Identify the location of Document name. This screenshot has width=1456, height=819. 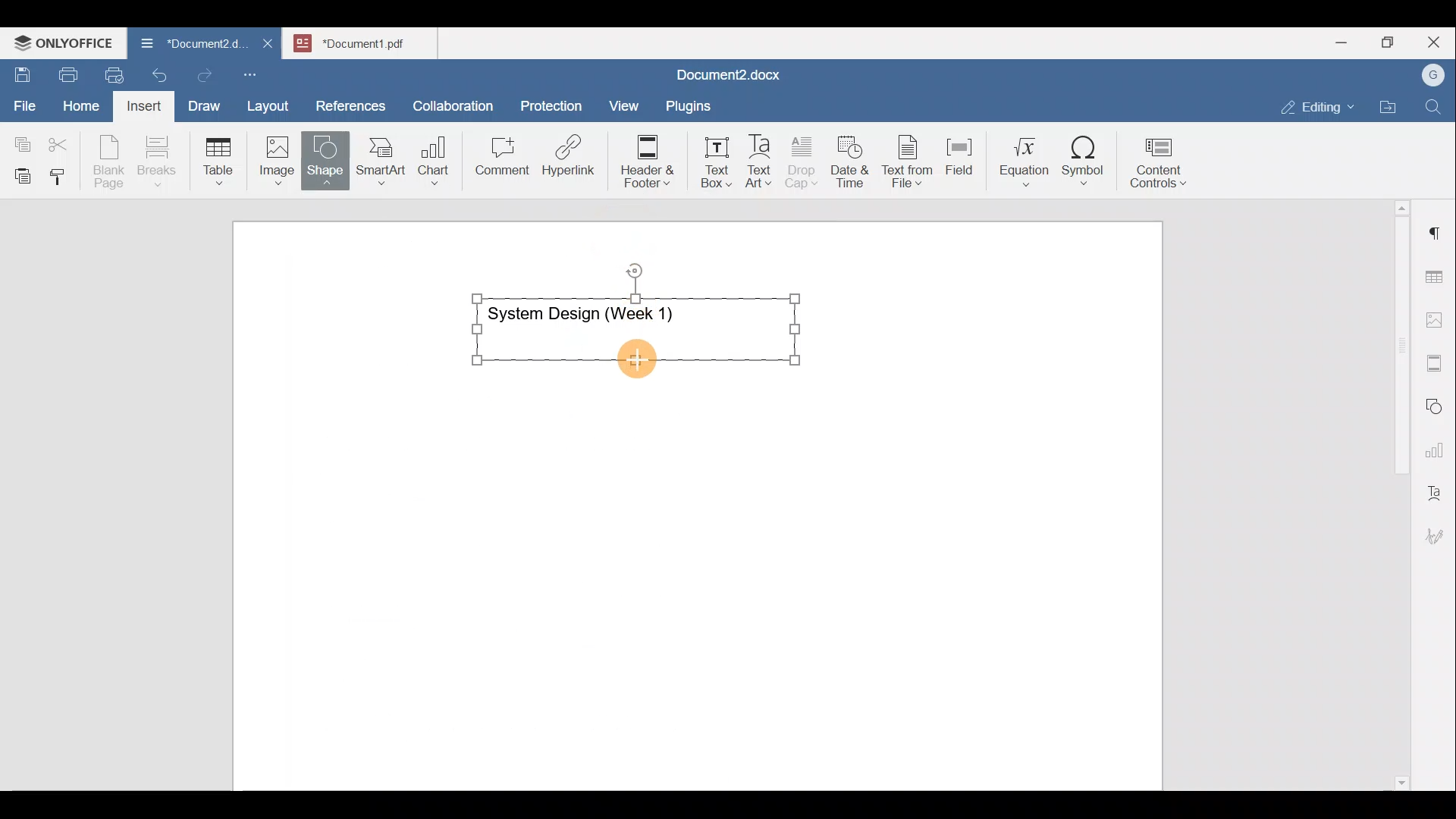
(369, 41).